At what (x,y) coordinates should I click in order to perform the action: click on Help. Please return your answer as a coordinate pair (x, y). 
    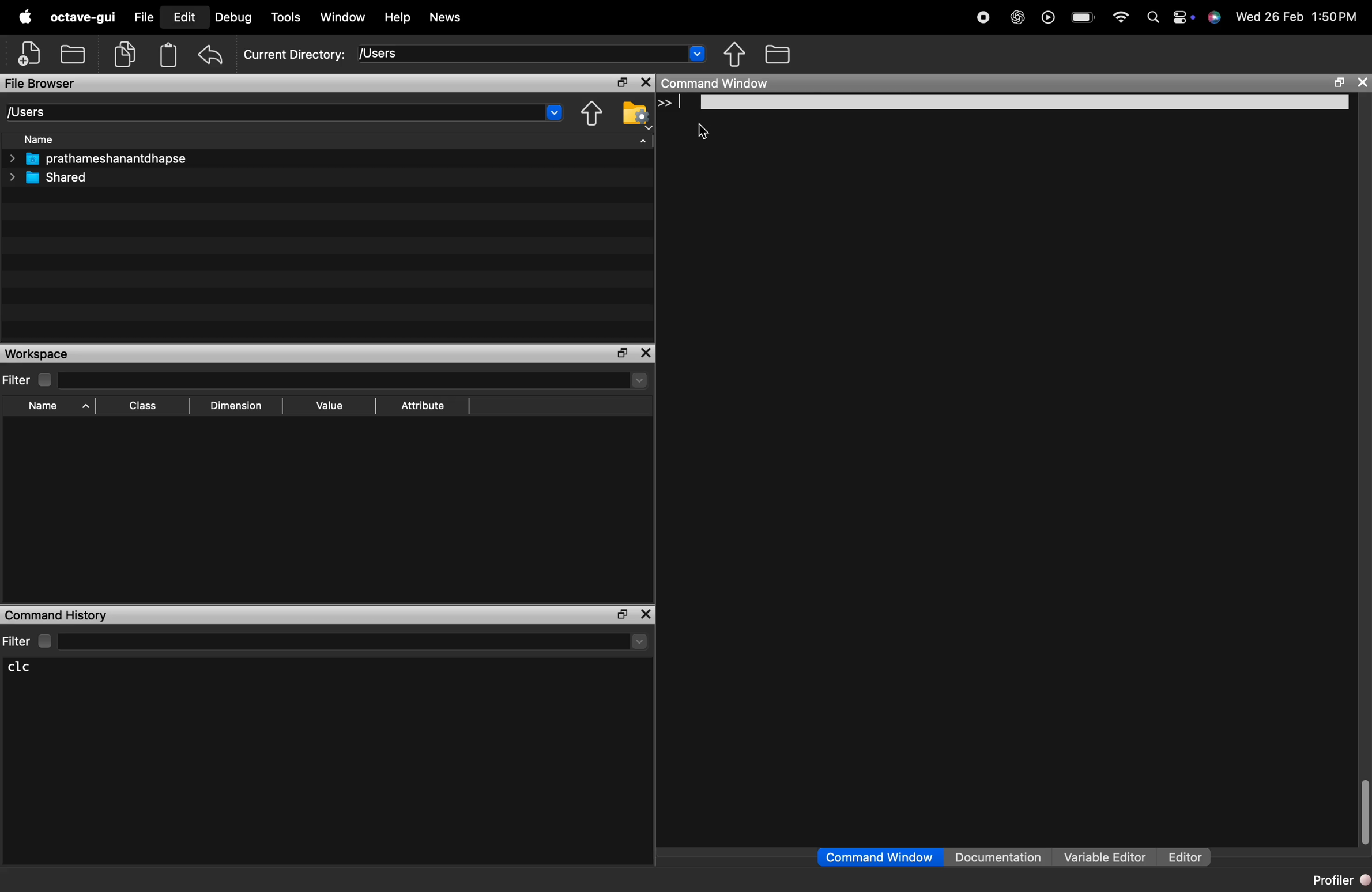
    Looking at the image, I should click on (397, 17).